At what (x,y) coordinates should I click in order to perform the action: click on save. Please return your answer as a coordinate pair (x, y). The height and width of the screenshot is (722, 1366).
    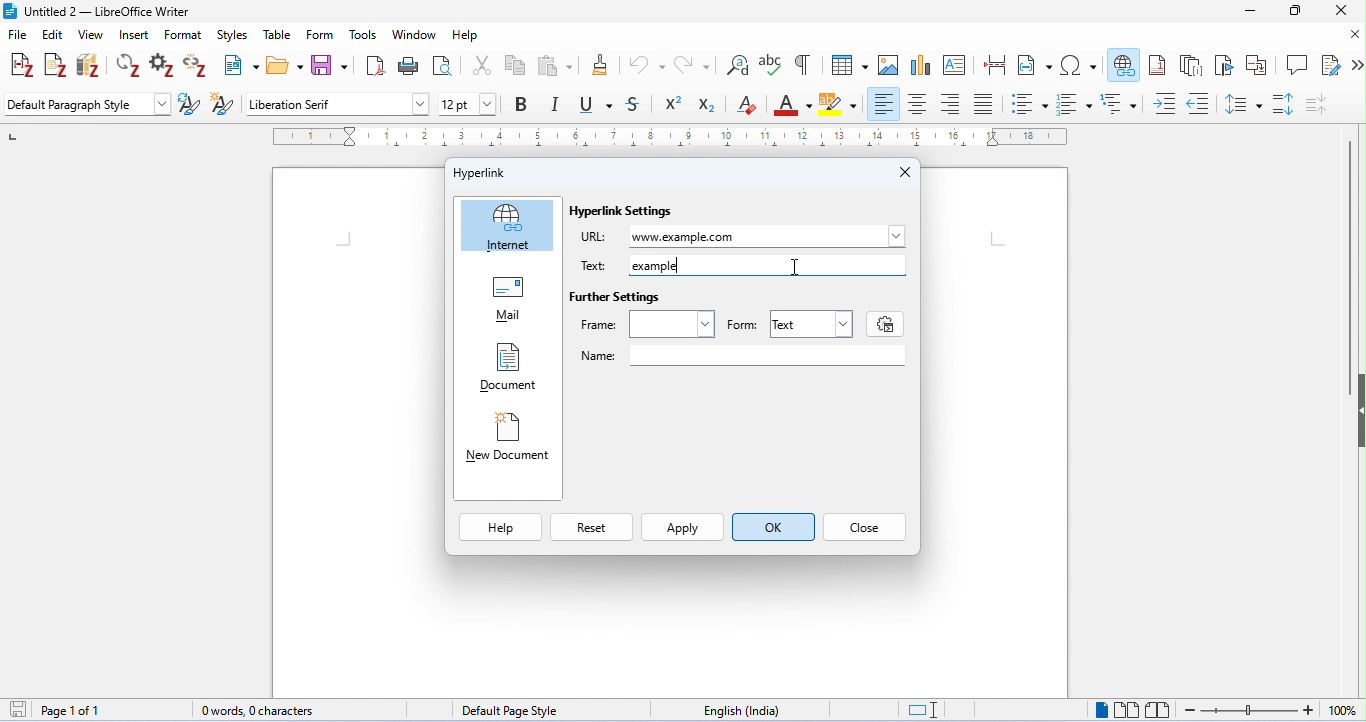
    Looking at the image, I should click on (330, 65).